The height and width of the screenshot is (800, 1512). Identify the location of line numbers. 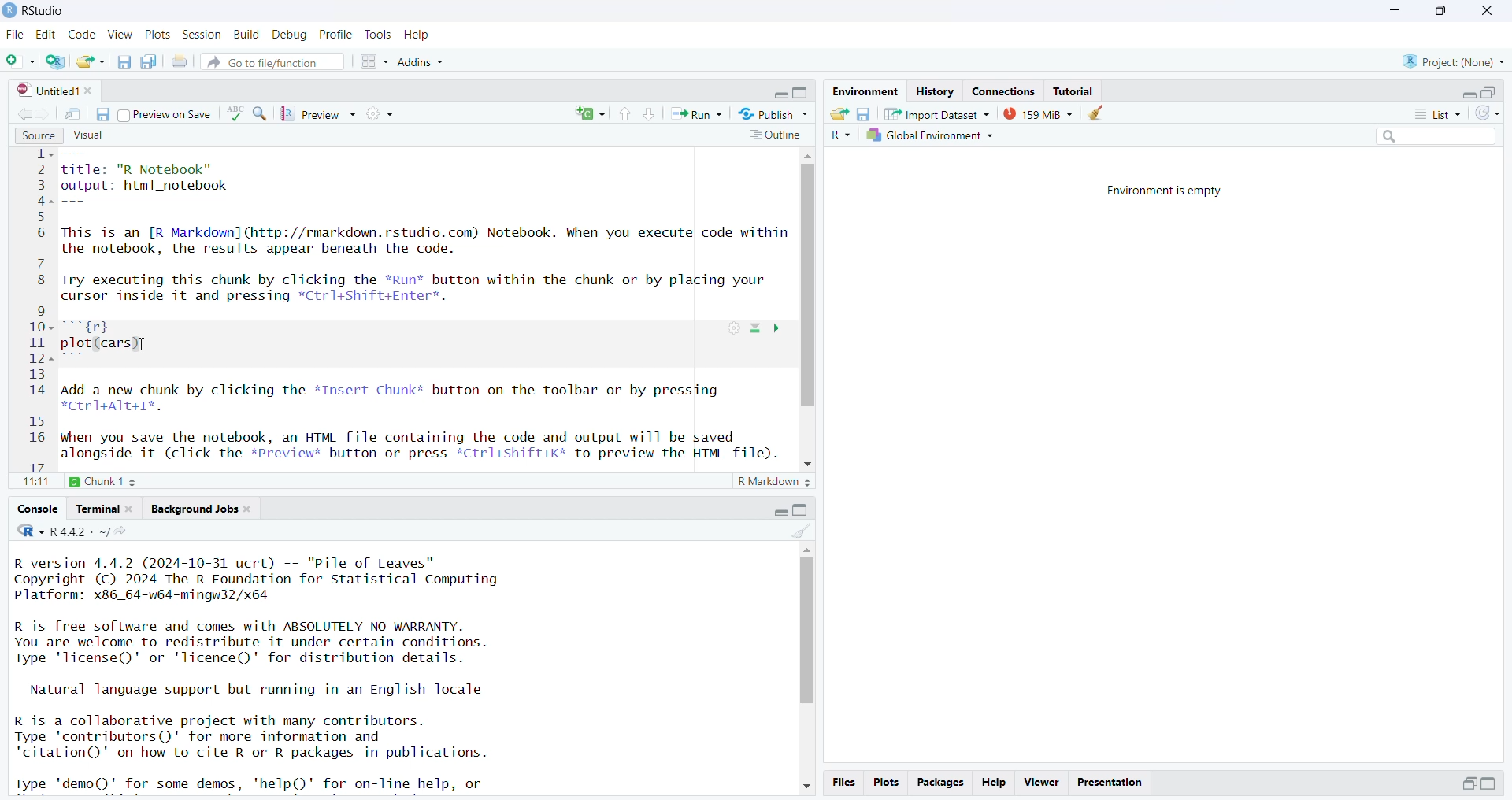
(42, 309).